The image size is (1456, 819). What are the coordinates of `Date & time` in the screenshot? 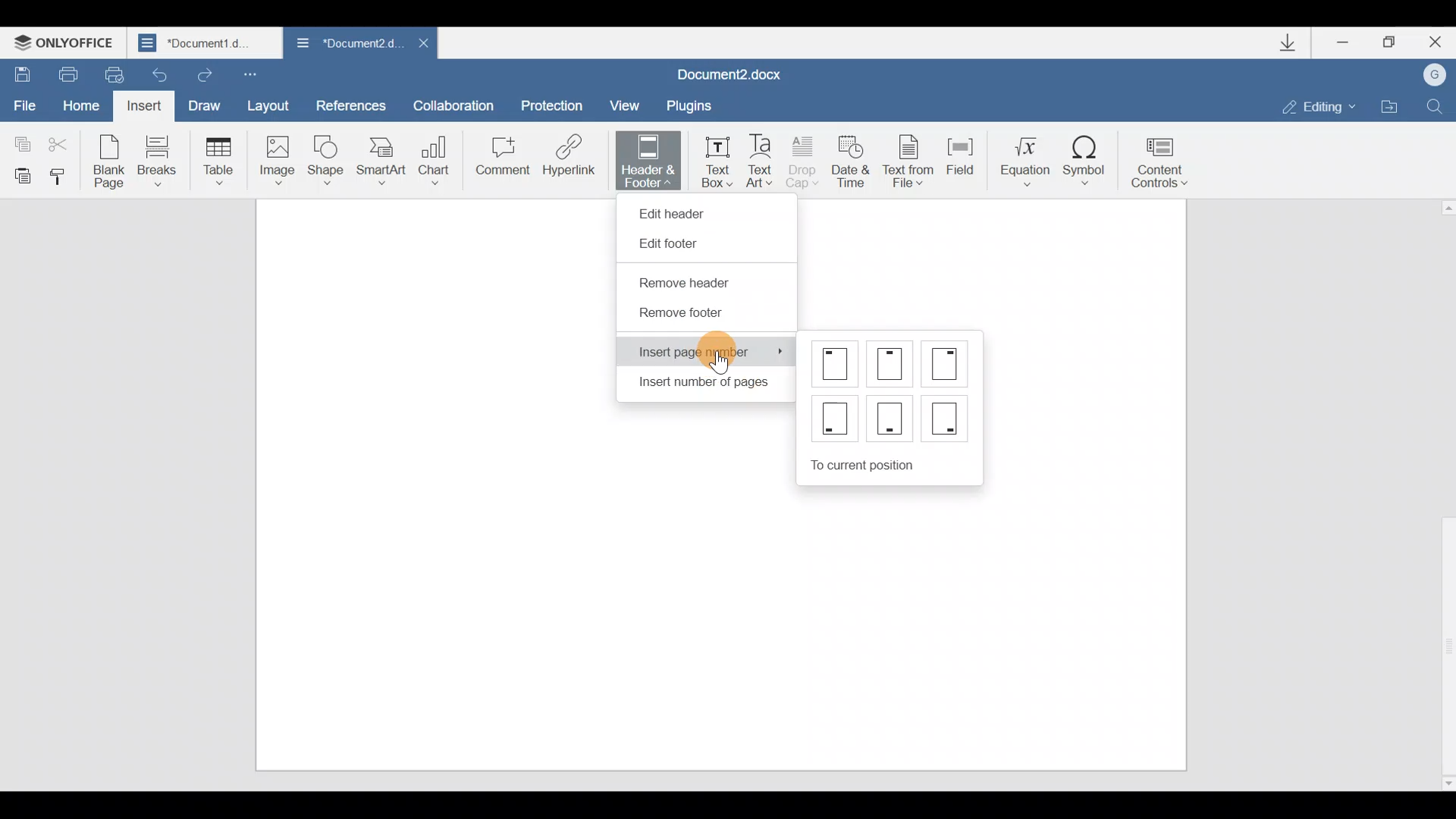 It's located at (851, 158).